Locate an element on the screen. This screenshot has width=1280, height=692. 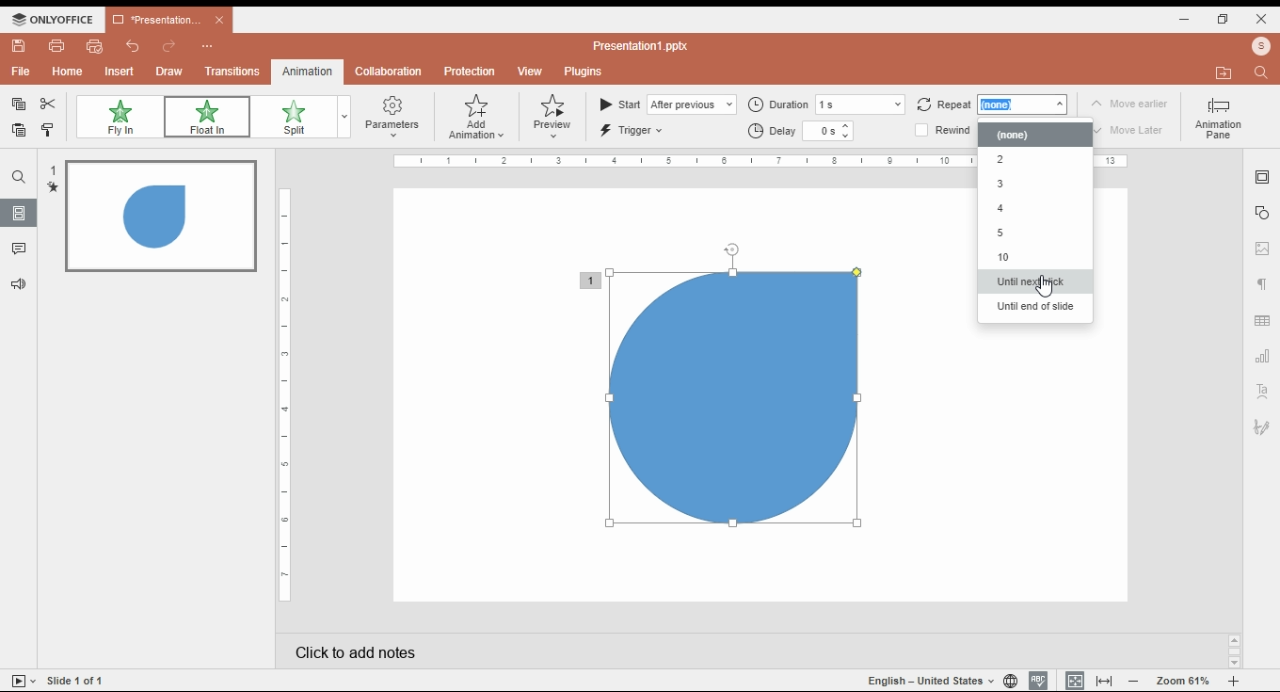
2 is located at coordinates (1032, 160).